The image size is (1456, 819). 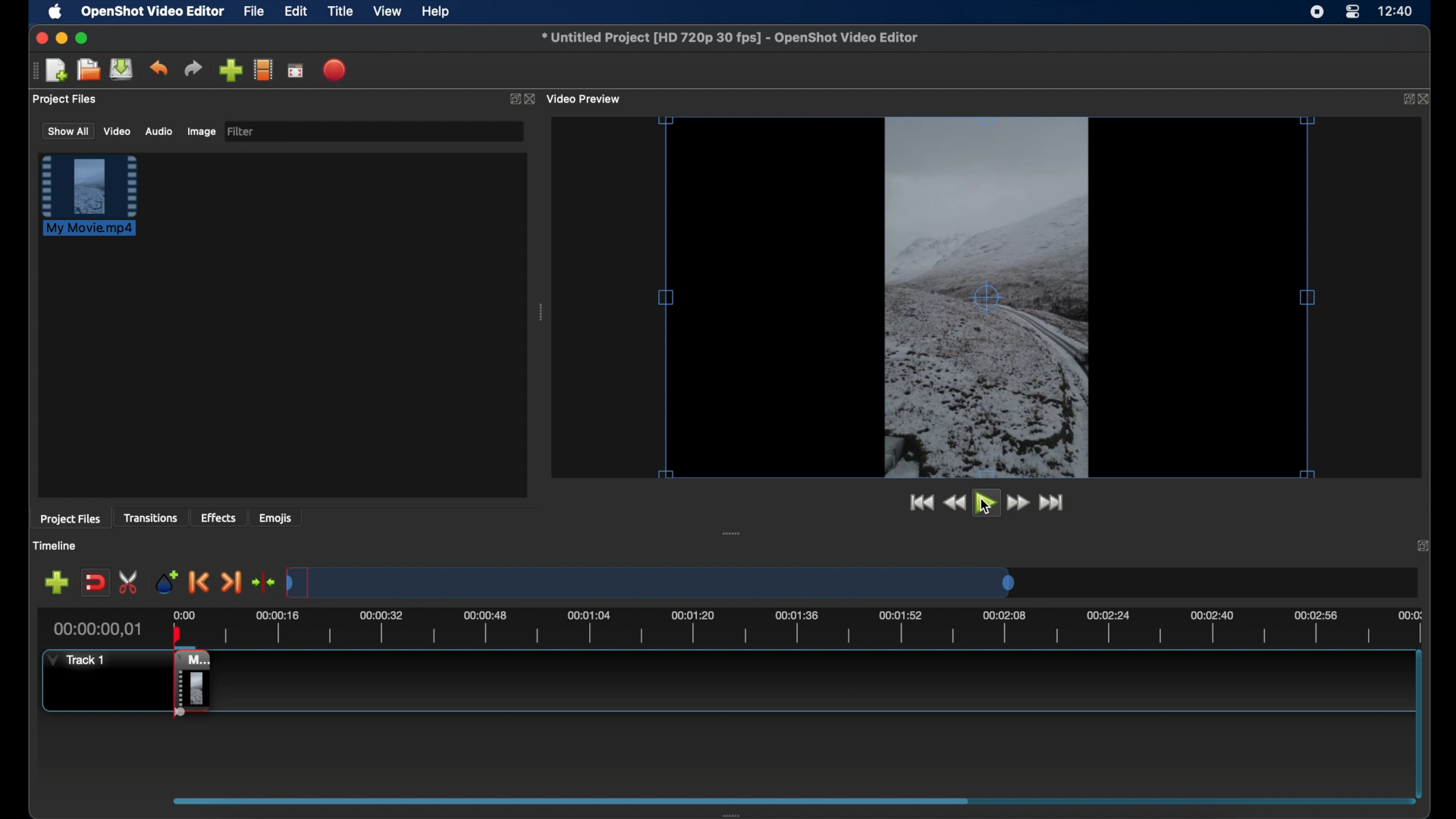 What do you see at coordinates (541, 314) in the screenshot?
I see `drag handle` at bounding box center [541, 314].